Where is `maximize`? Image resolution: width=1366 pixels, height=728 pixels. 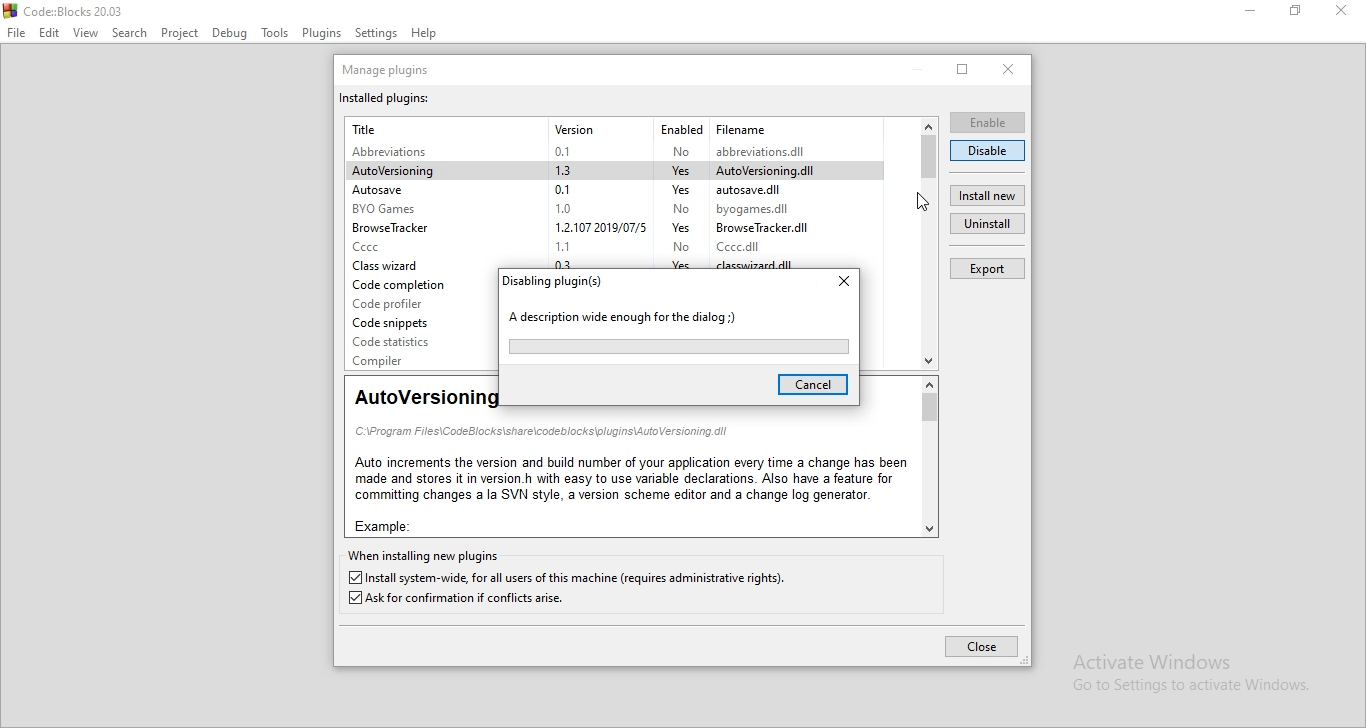 maximize is located at coordinates (1295, 10).